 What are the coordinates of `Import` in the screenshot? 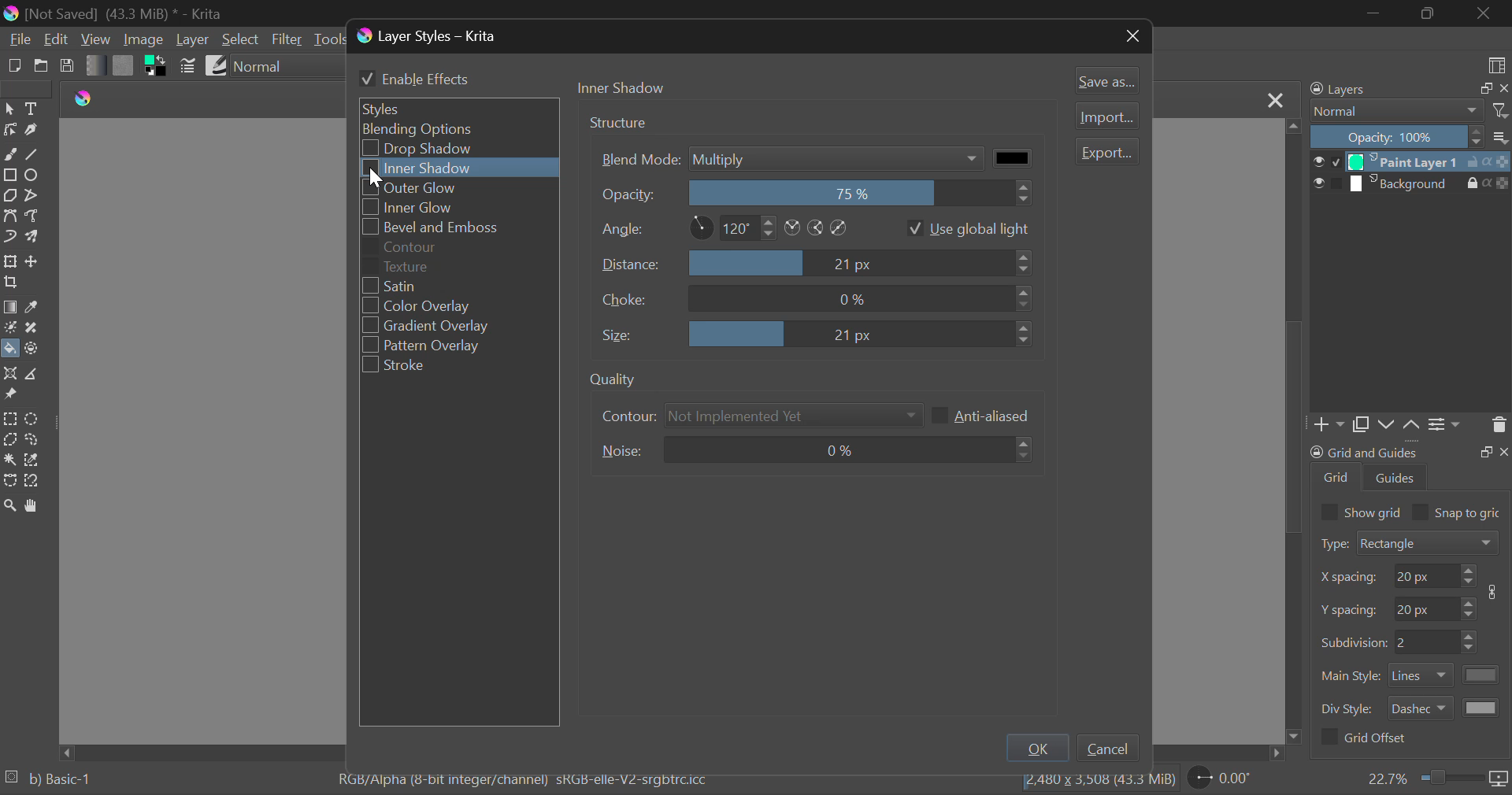 It's located at (1106, 116).